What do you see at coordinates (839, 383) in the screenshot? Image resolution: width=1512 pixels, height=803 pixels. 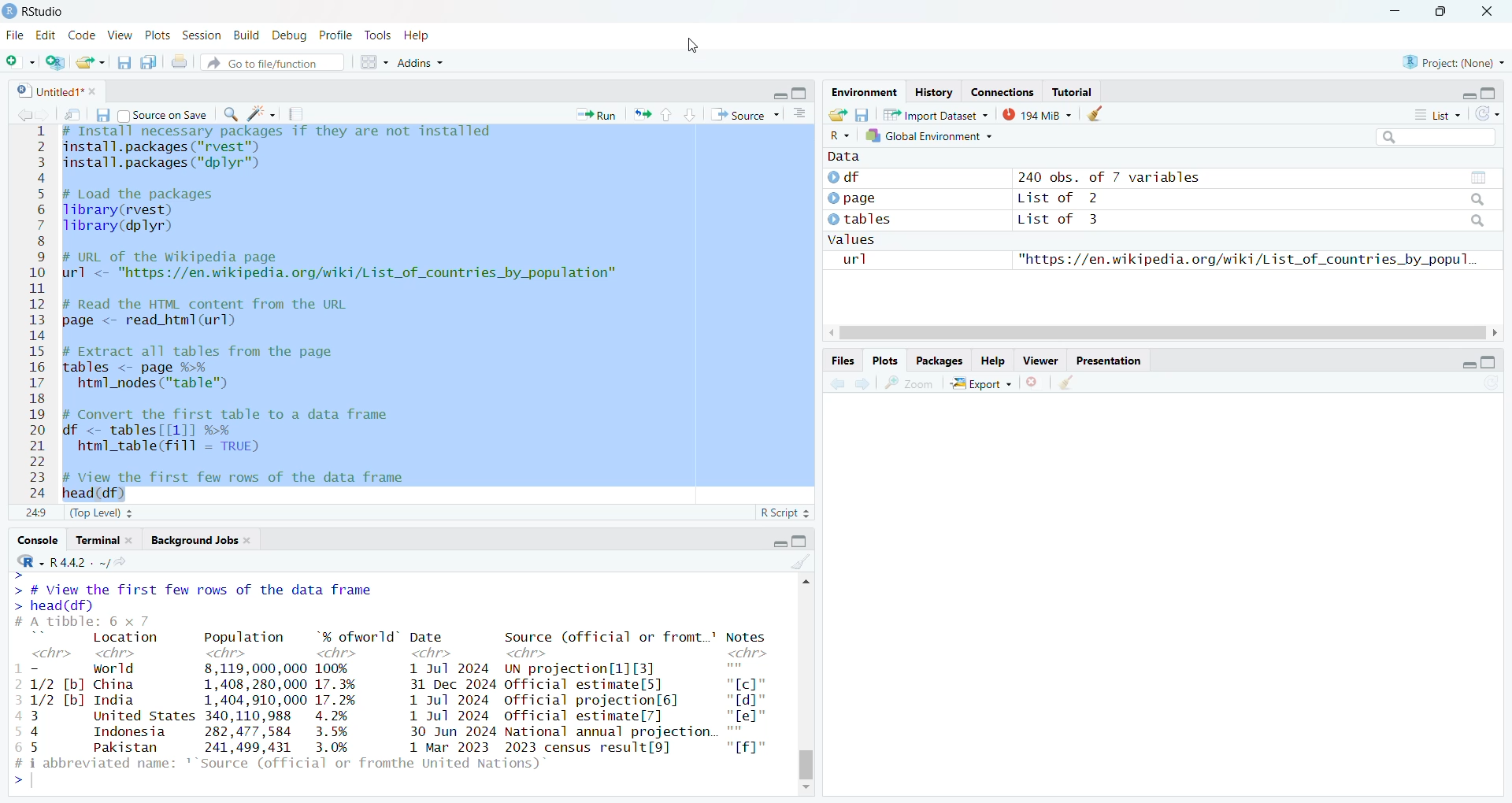 I see `back` at bounding box center [839, 383].